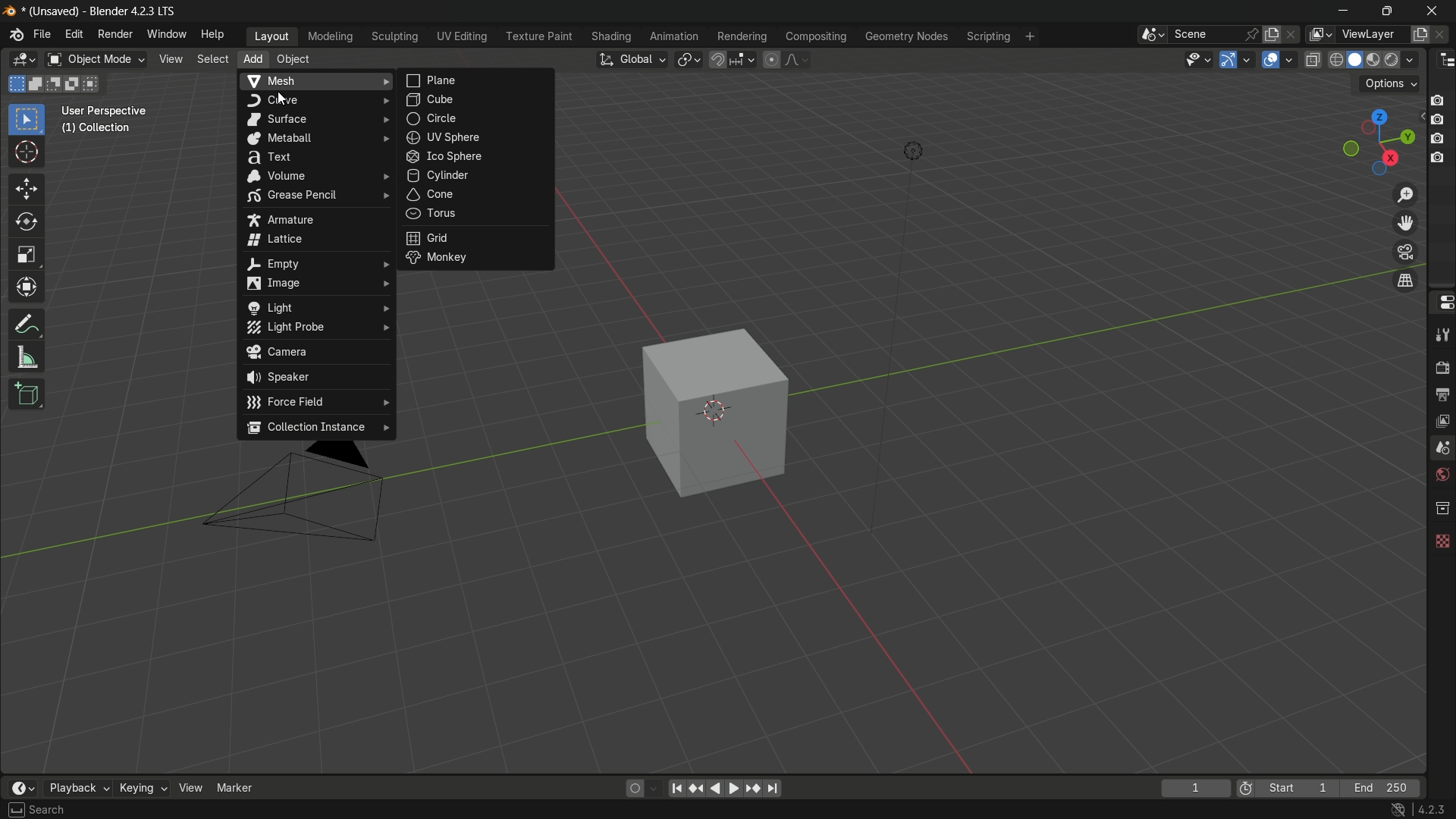  I want to click on layout menu, so click(273, 37).